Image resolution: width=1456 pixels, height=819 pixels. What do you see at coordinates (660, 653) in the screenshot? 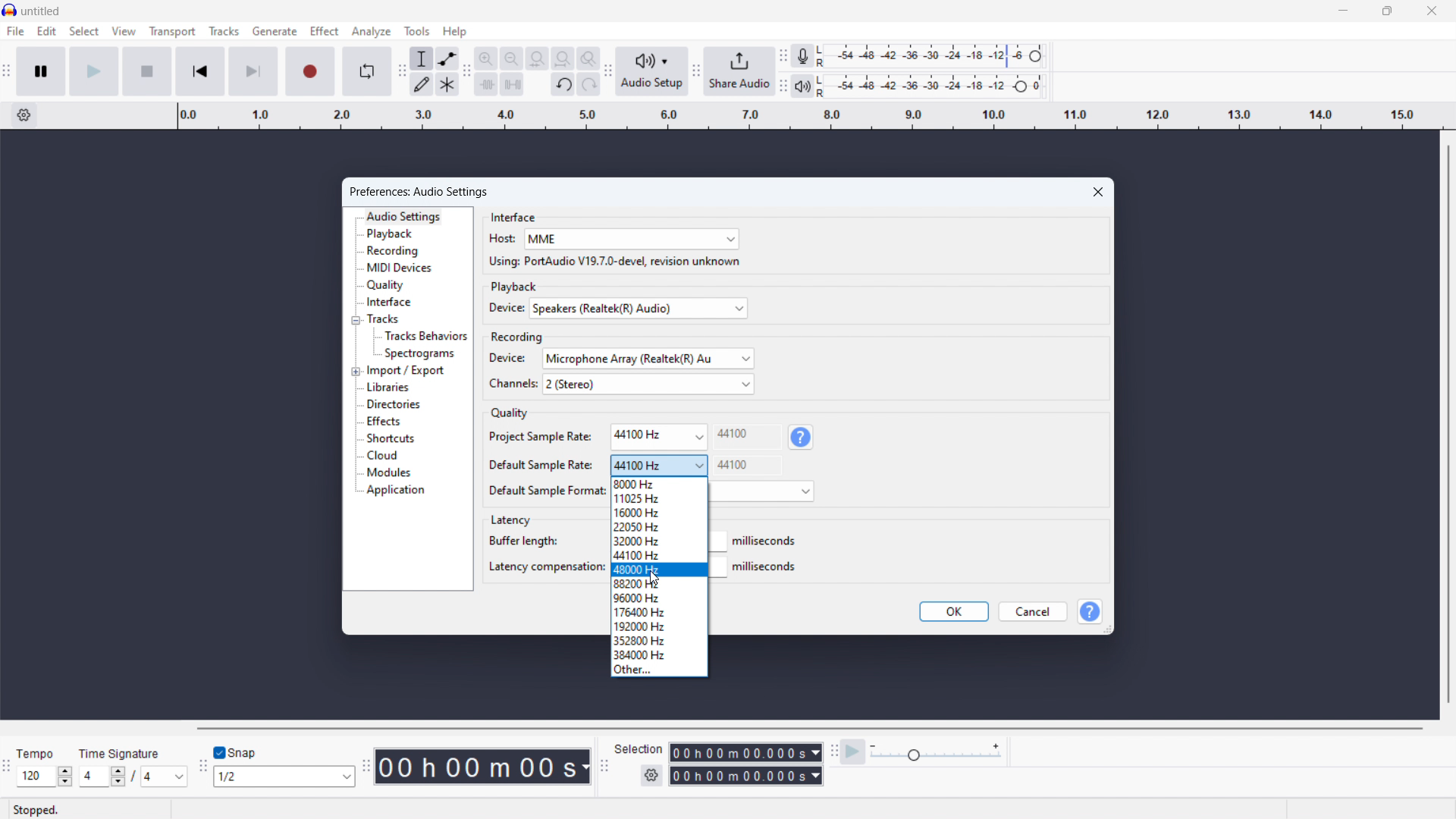
I see `384000 Hz` at bounding box center [660, 653].